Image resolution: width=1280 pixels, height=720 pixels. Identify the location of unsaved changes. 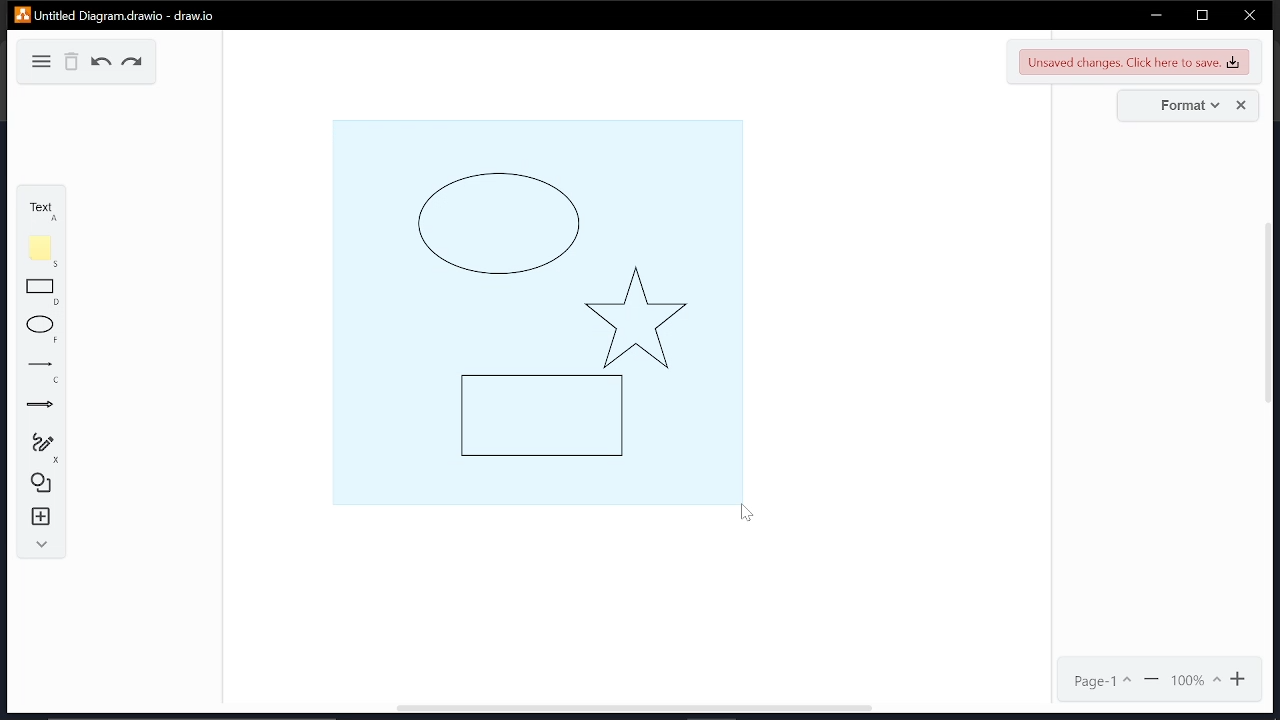
(1134, 61).